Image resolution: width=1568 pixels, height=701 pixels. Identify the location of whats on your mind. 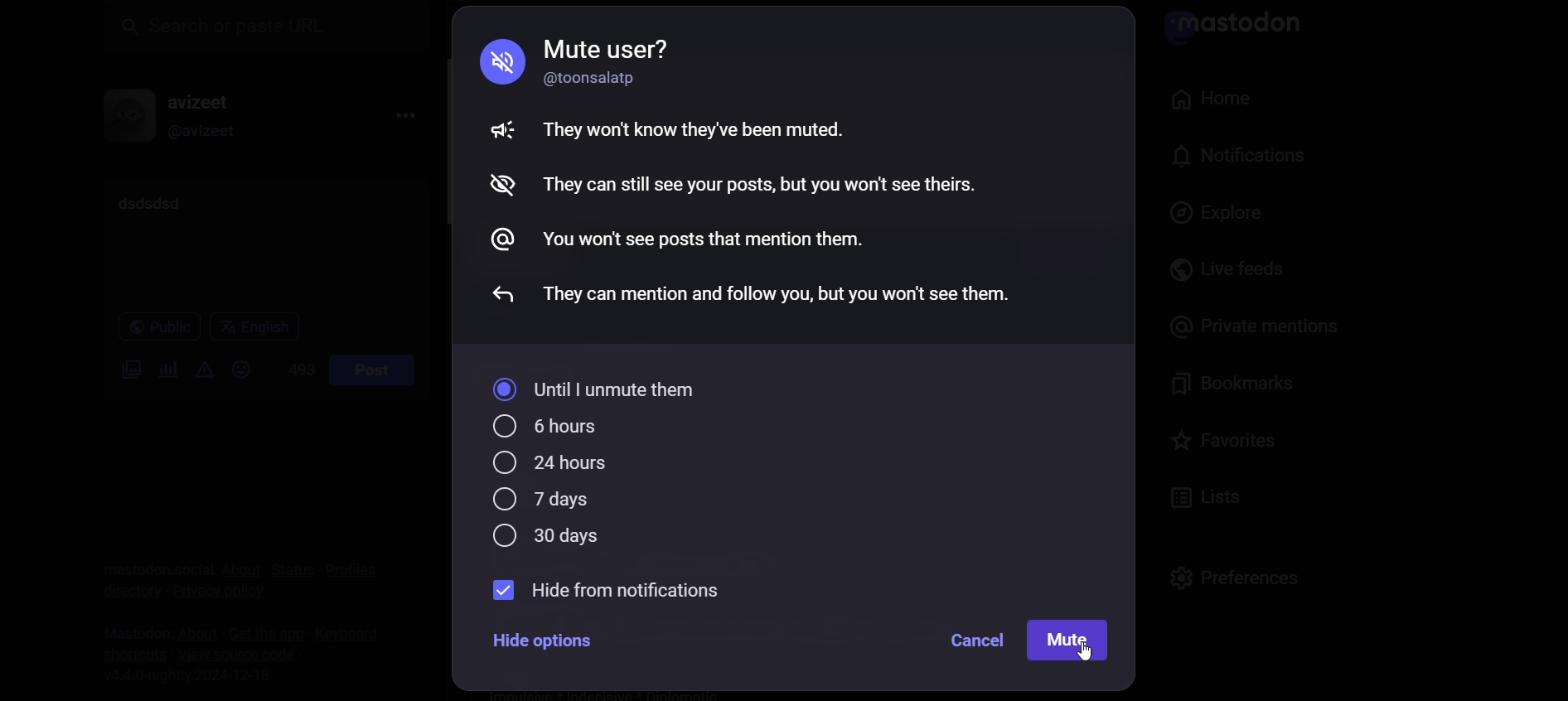
(259, 242).